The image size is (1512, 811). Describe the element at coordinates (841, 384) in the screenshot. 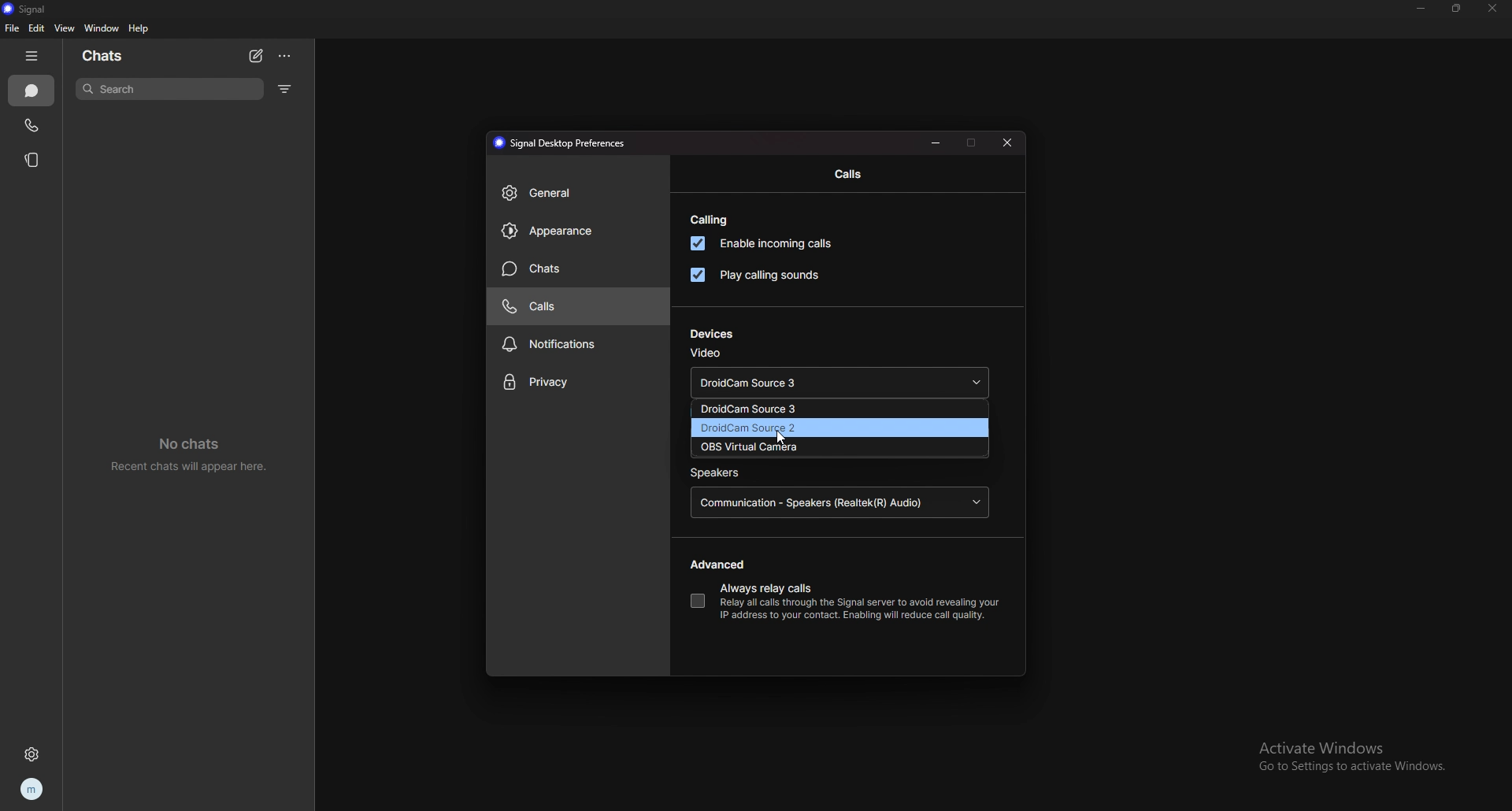

I see `video source` at that location.